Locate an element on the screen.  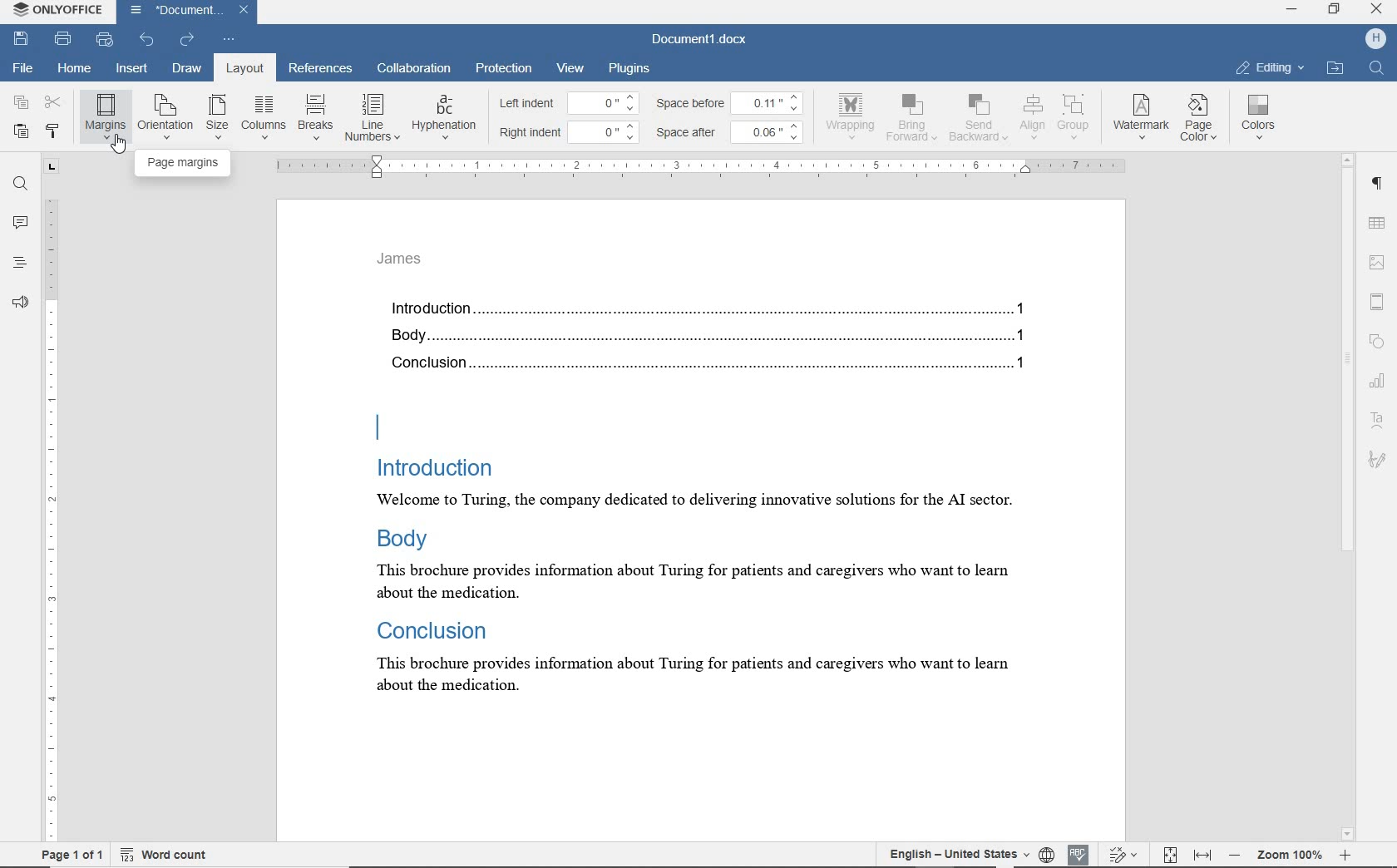
track changes is located at coordinates (1125, 854).